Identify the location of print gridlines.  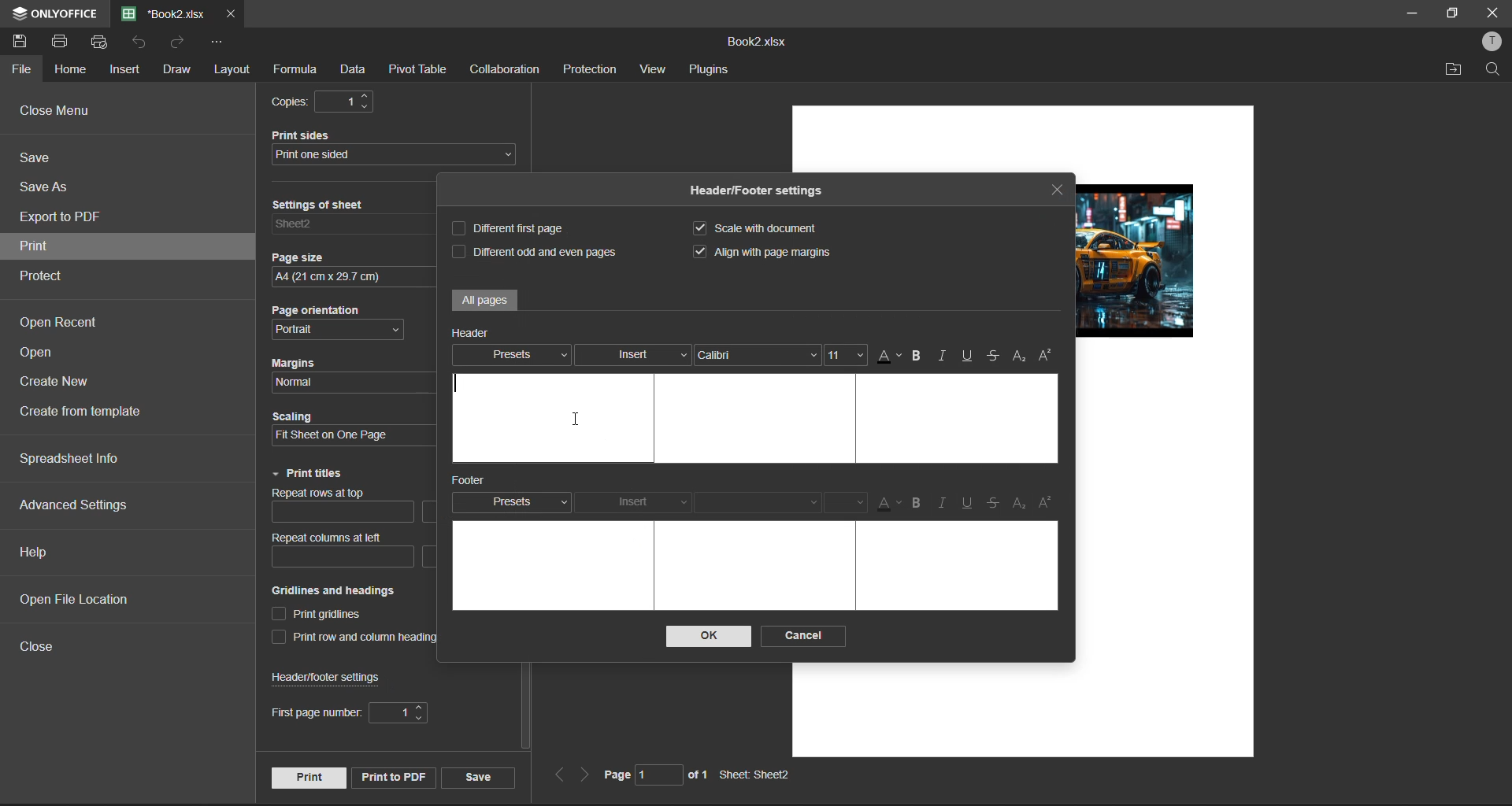
(321, 616).